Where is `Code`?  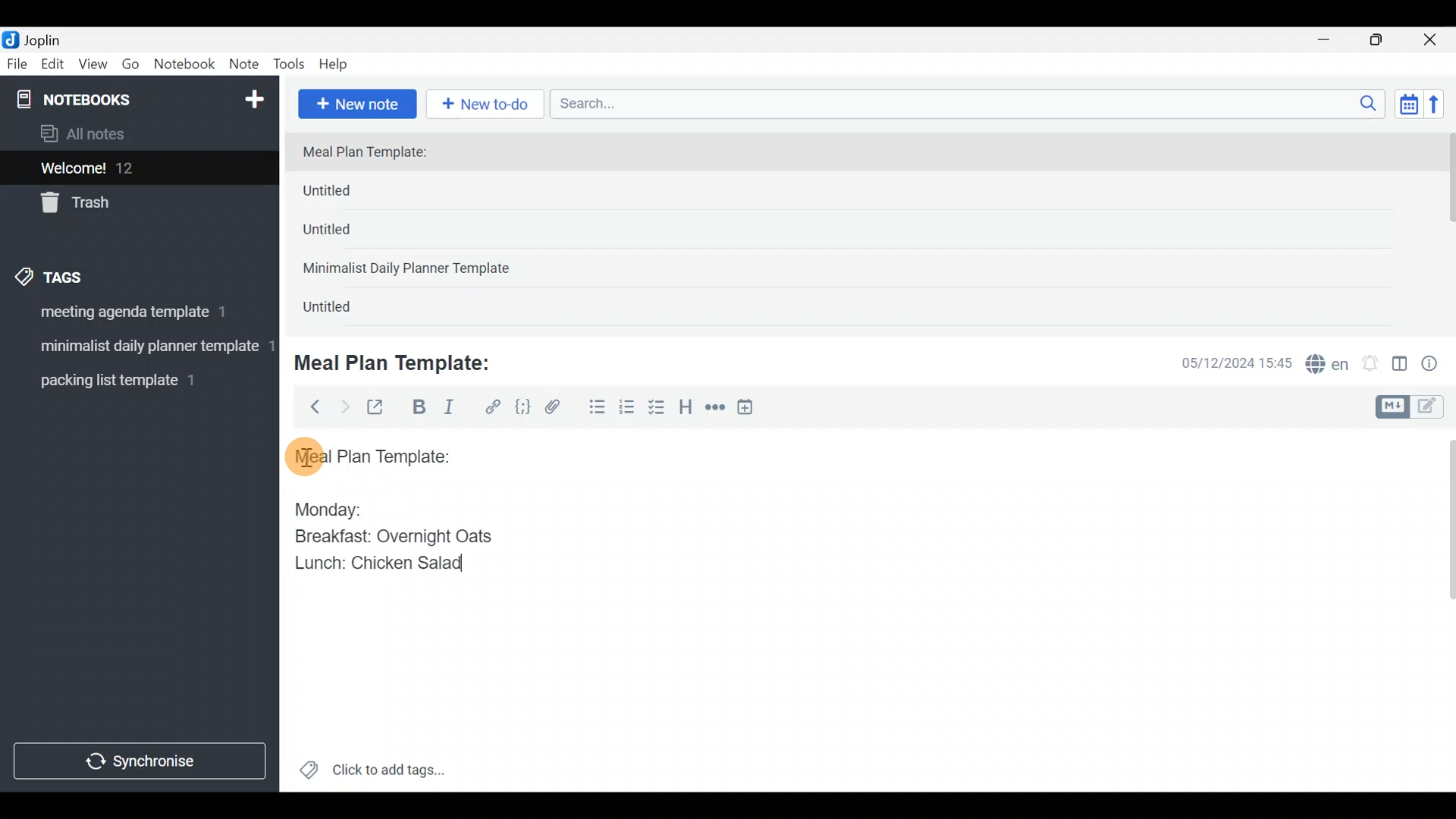
Code is located at coordinates (521, 406).